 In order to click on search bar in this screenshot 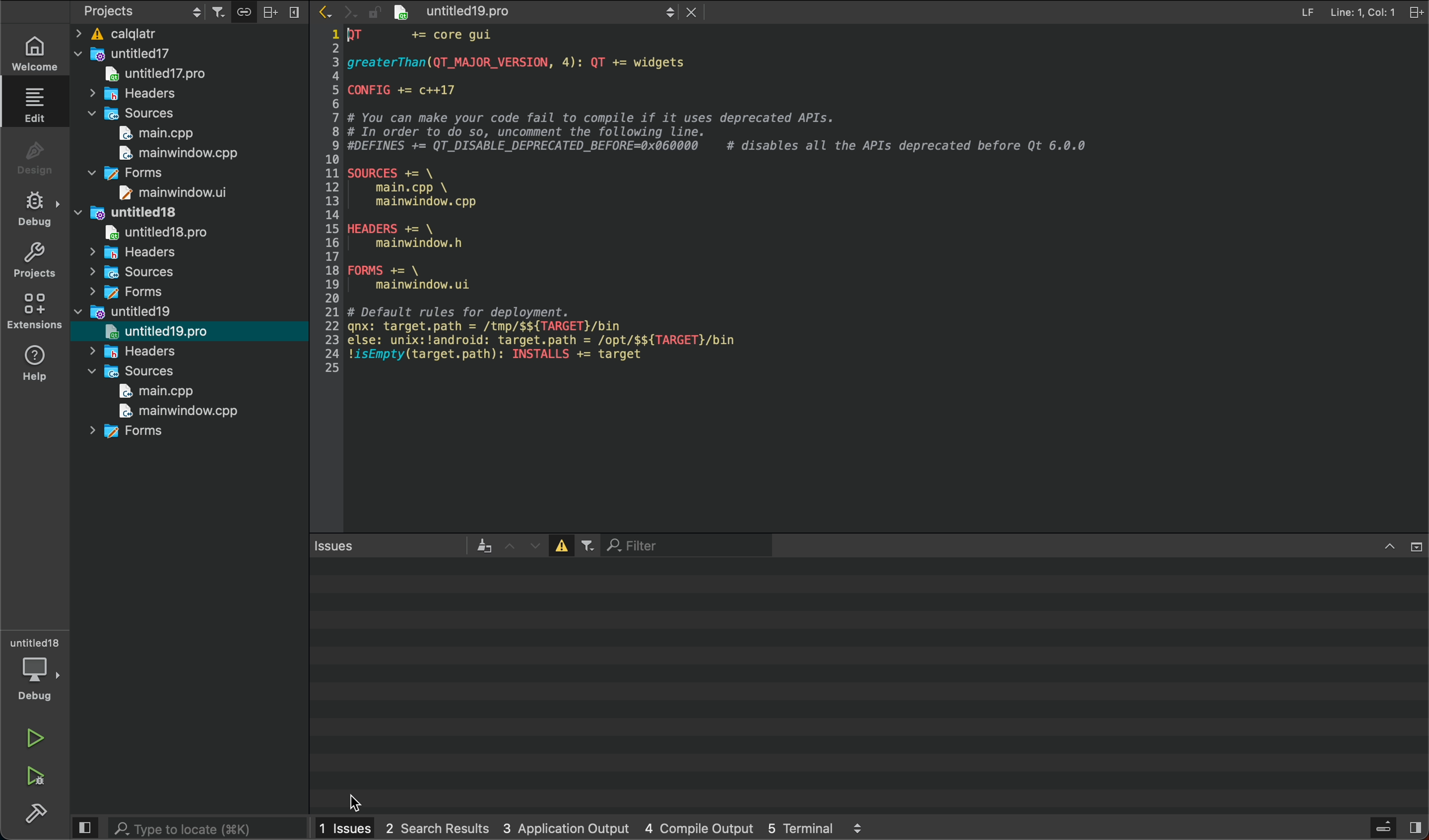, I will do `click(203, 828)`.